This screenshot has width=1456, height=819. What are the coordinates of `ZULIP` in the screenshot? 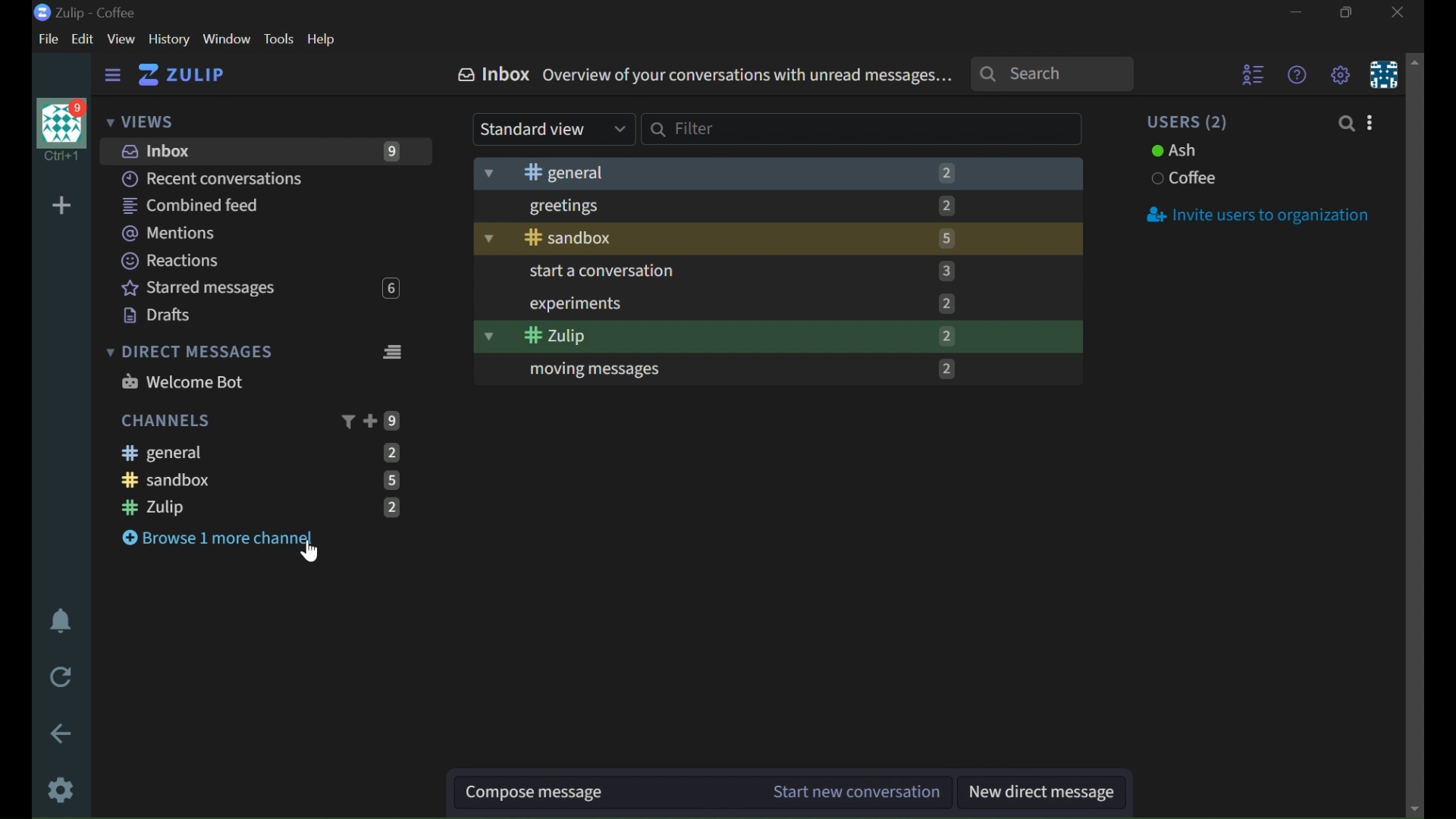 It's located at (259, 508).